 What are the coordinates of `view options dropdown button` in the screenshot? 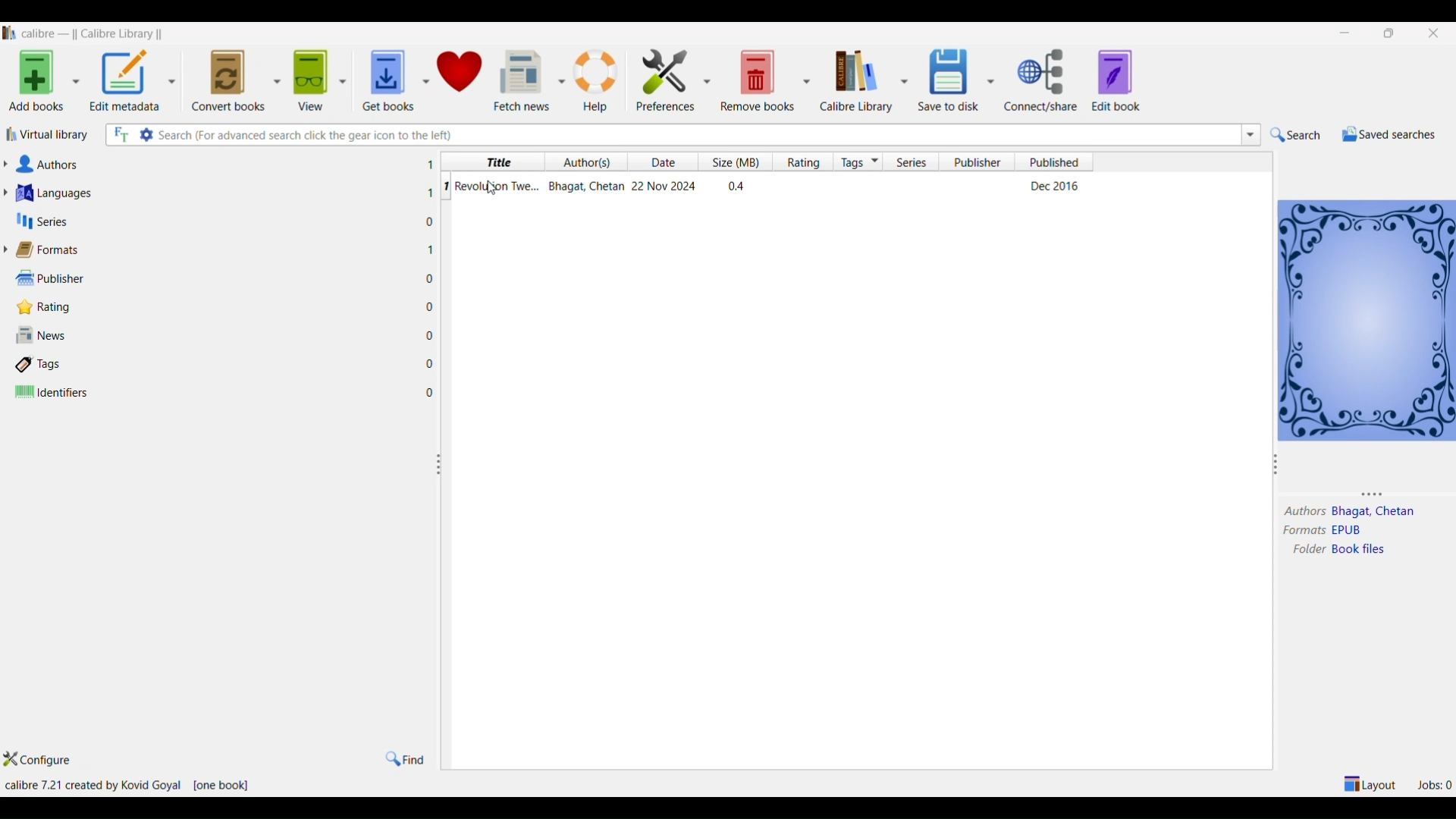 It's located at (340, 75).